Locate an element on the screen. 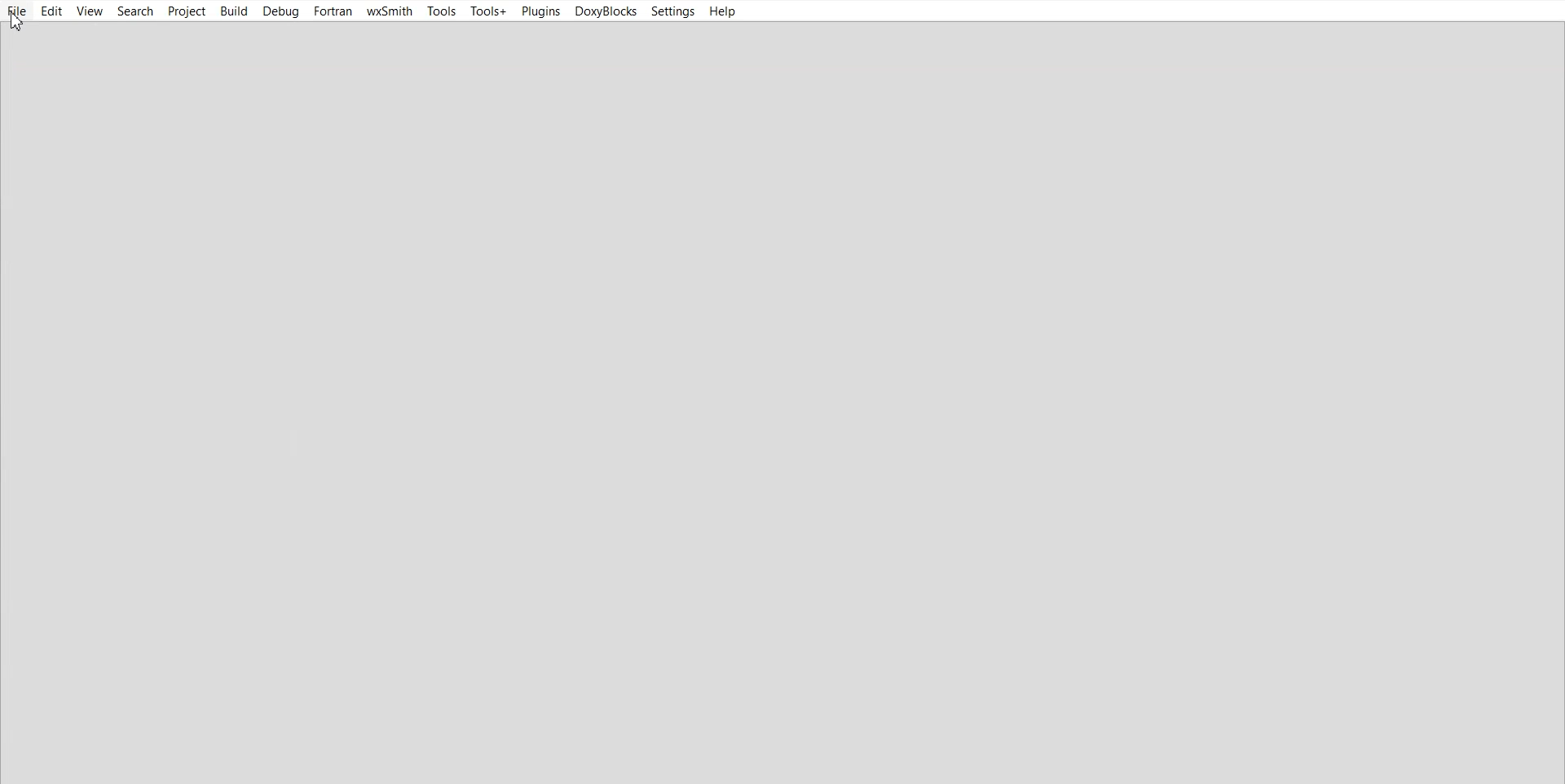 This screenshot has height=784, width=1565. View is located at coordinates (90, 11).